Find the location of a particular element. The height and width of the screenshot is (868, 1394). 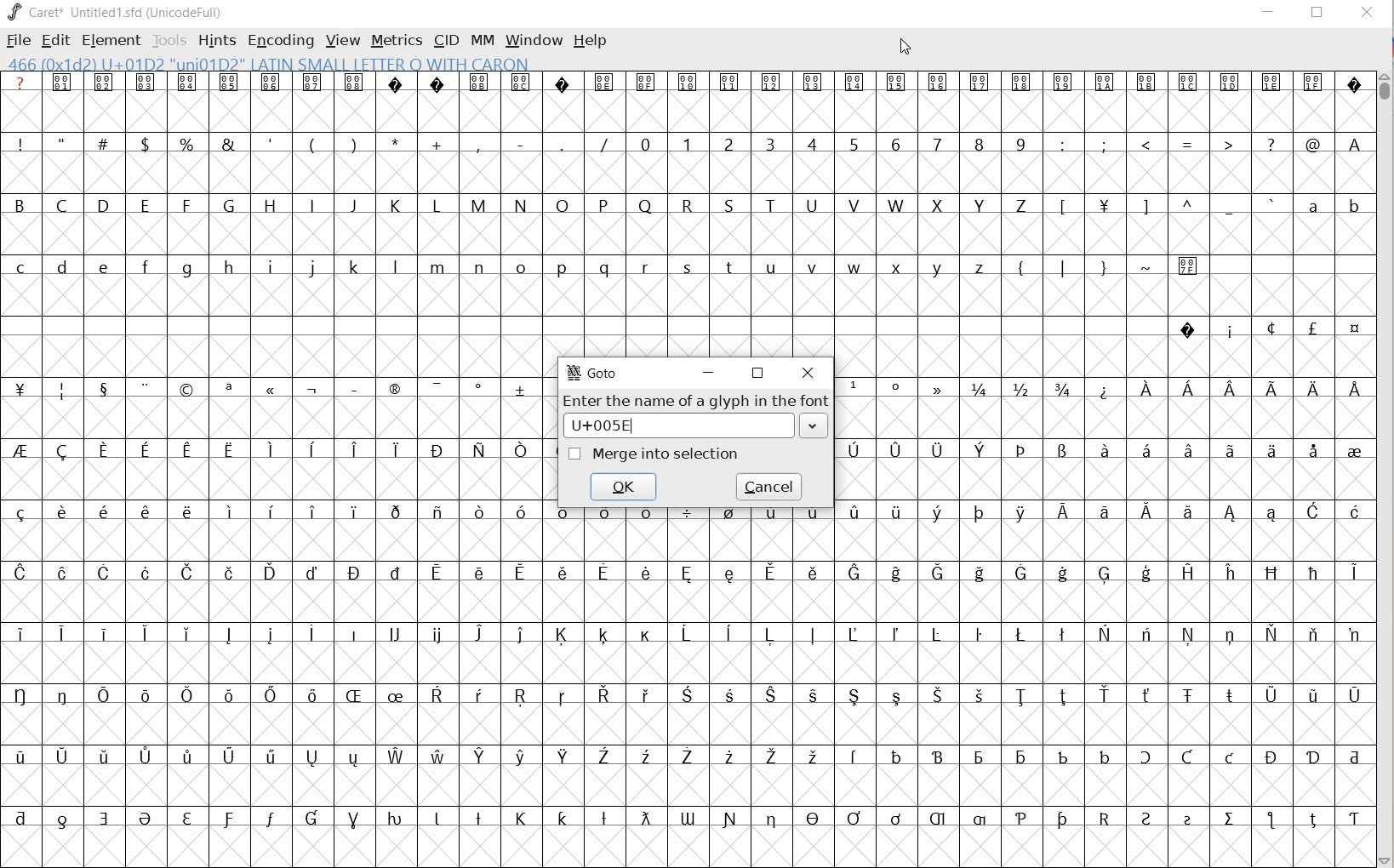

MINIMIZE is located at coordinates (1269, 11).